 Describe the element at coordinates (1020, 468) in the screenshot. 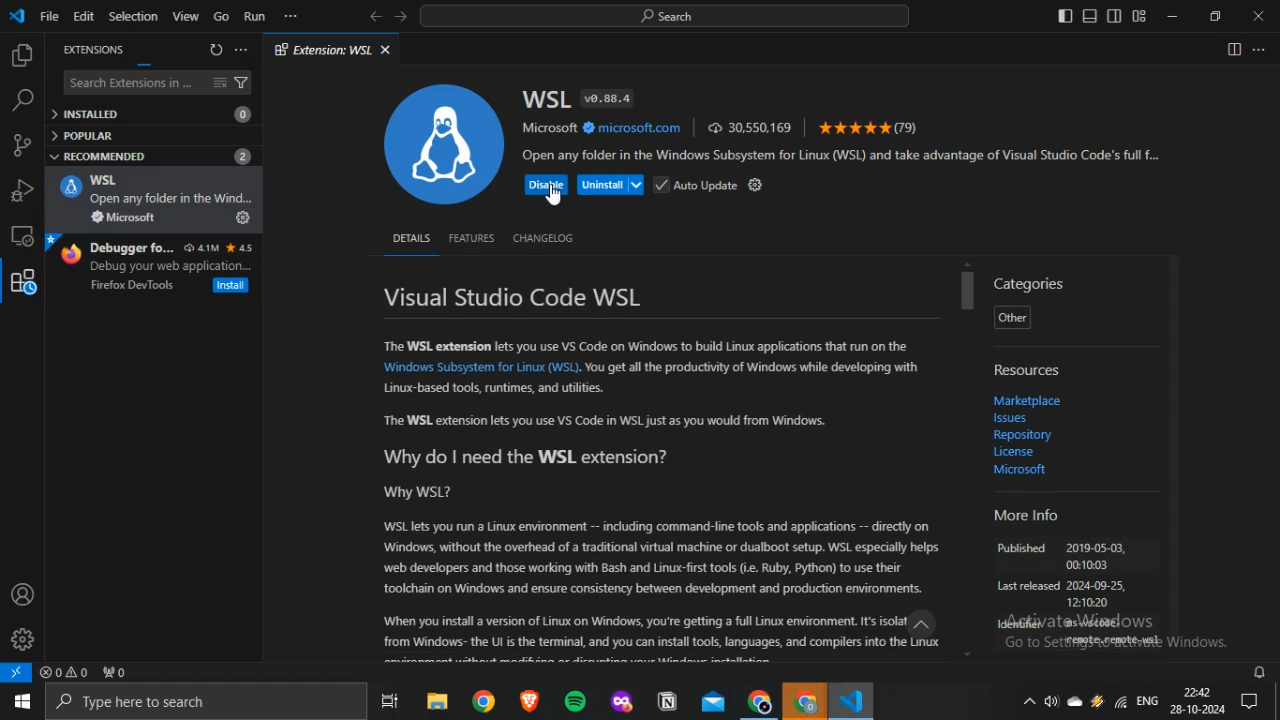

I see `Microsoft` at that location.